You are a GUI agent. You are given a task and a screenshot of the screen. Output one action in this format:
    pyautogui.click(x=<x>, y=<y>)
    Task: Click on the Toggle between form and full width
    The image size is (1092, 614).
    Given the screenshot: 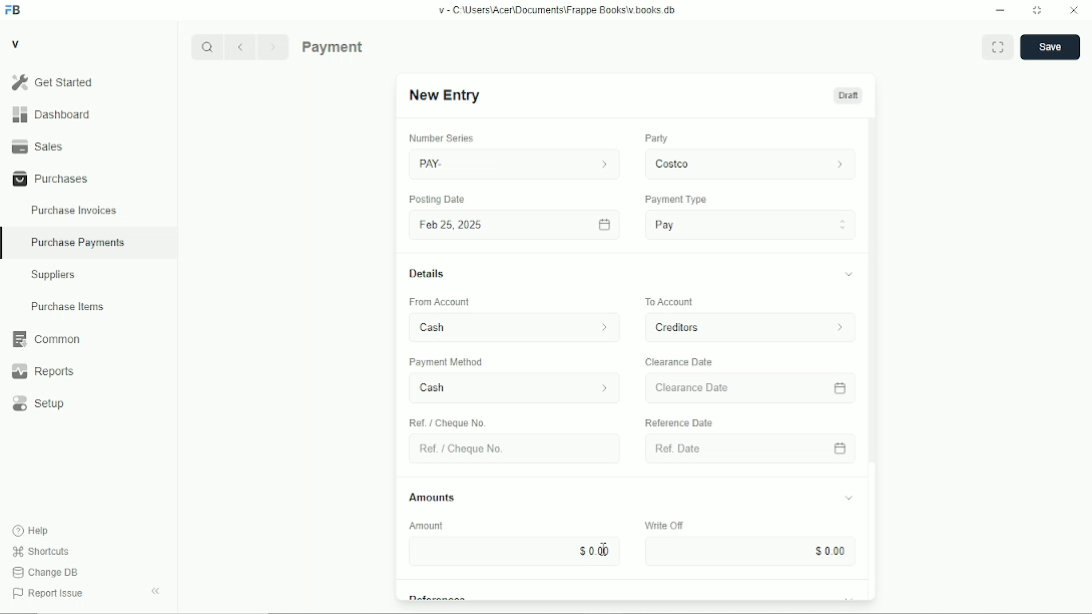 What is the action you would take?
    pyautogui.click(x=997, y=47)
    